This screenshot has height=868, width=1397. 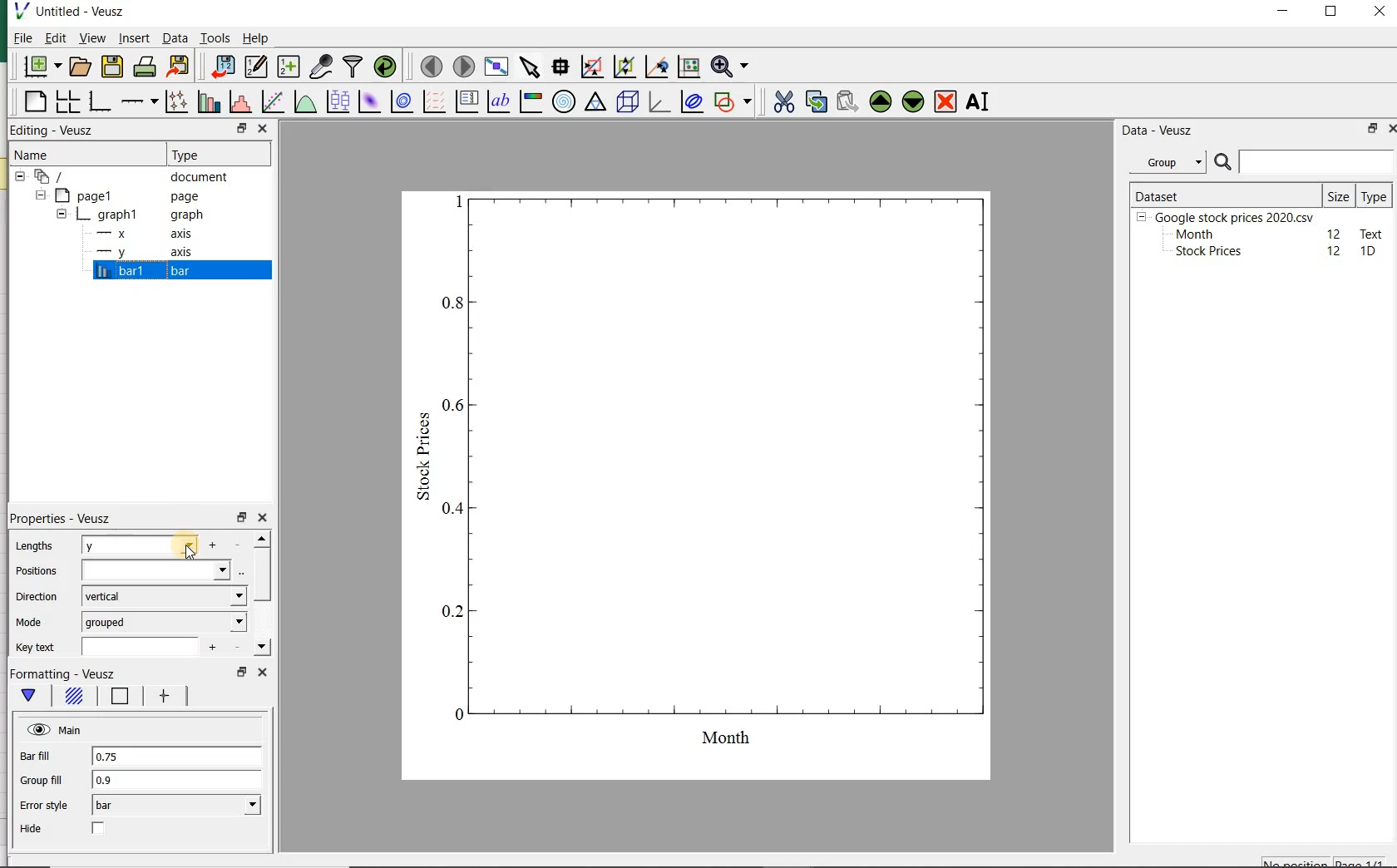 I want to click on reload linked datasets, so click(x=388, y=67).